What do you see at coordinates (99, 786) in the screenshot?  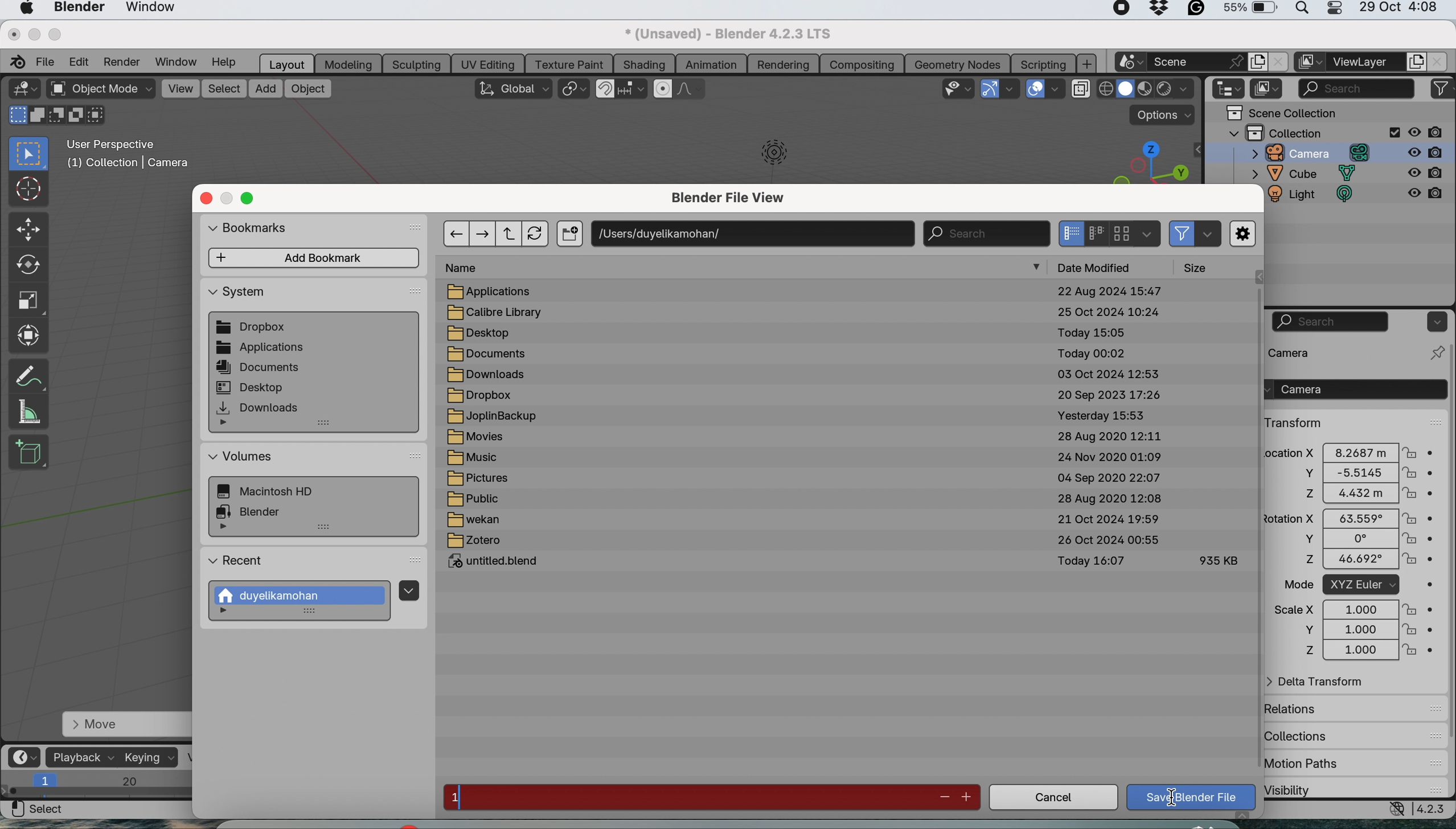 I see `horizontal scale` at bounding box center [99, 786].